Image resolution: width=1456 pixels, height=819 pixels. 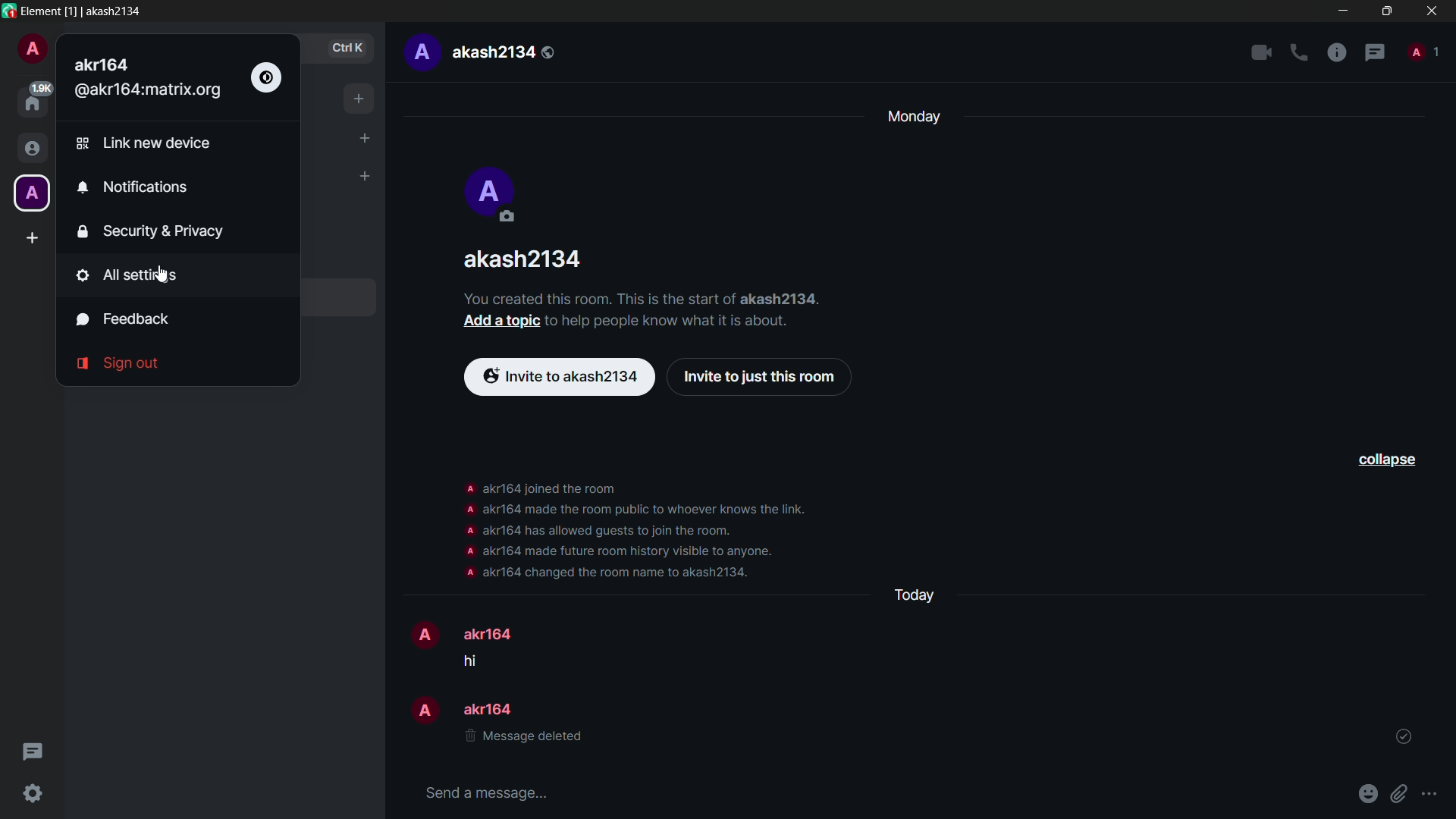 What do you see at coordinates (1432, 11) in the screenshot?
I see `close` at bounding box center [1432, 11].